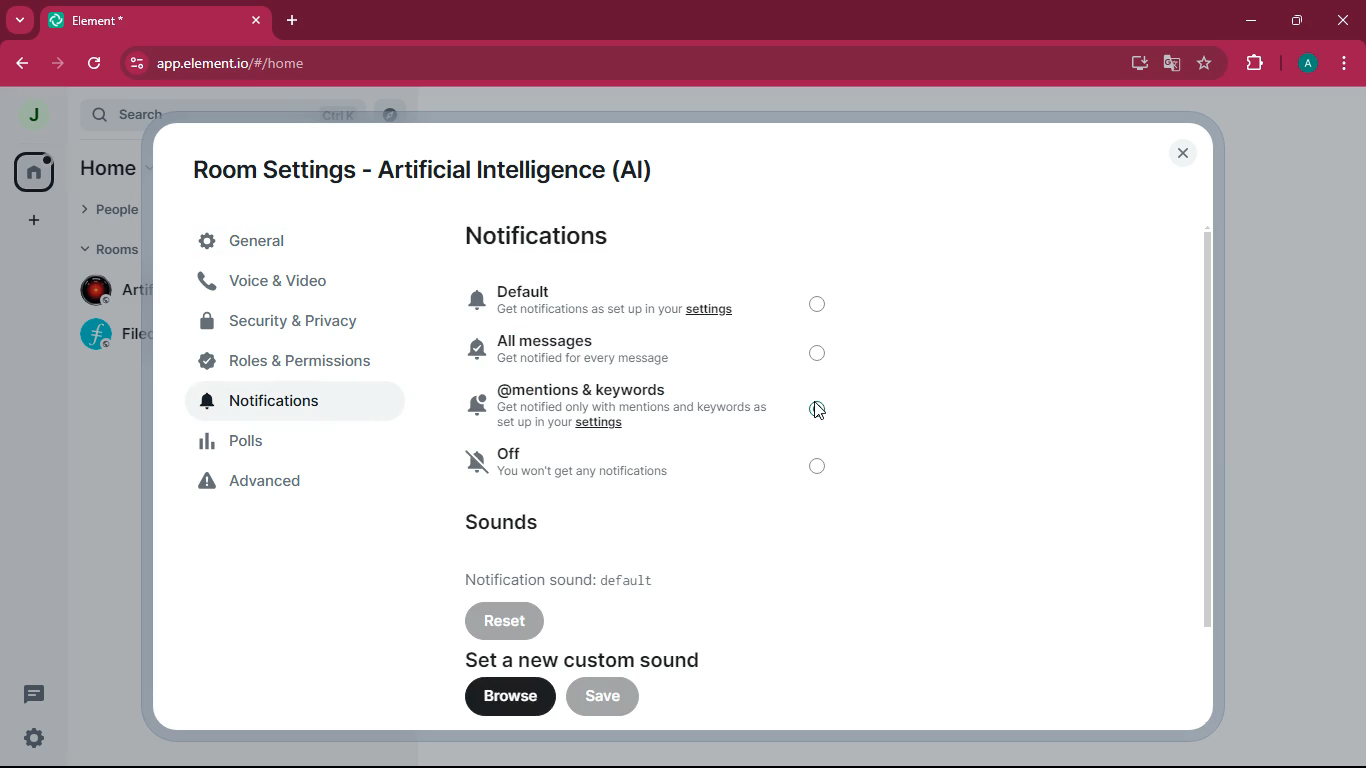 This screenshot has height=768, width=1366. Describe the element at coordinates (59, 63) in the screenshot. I see `forward` at that location.